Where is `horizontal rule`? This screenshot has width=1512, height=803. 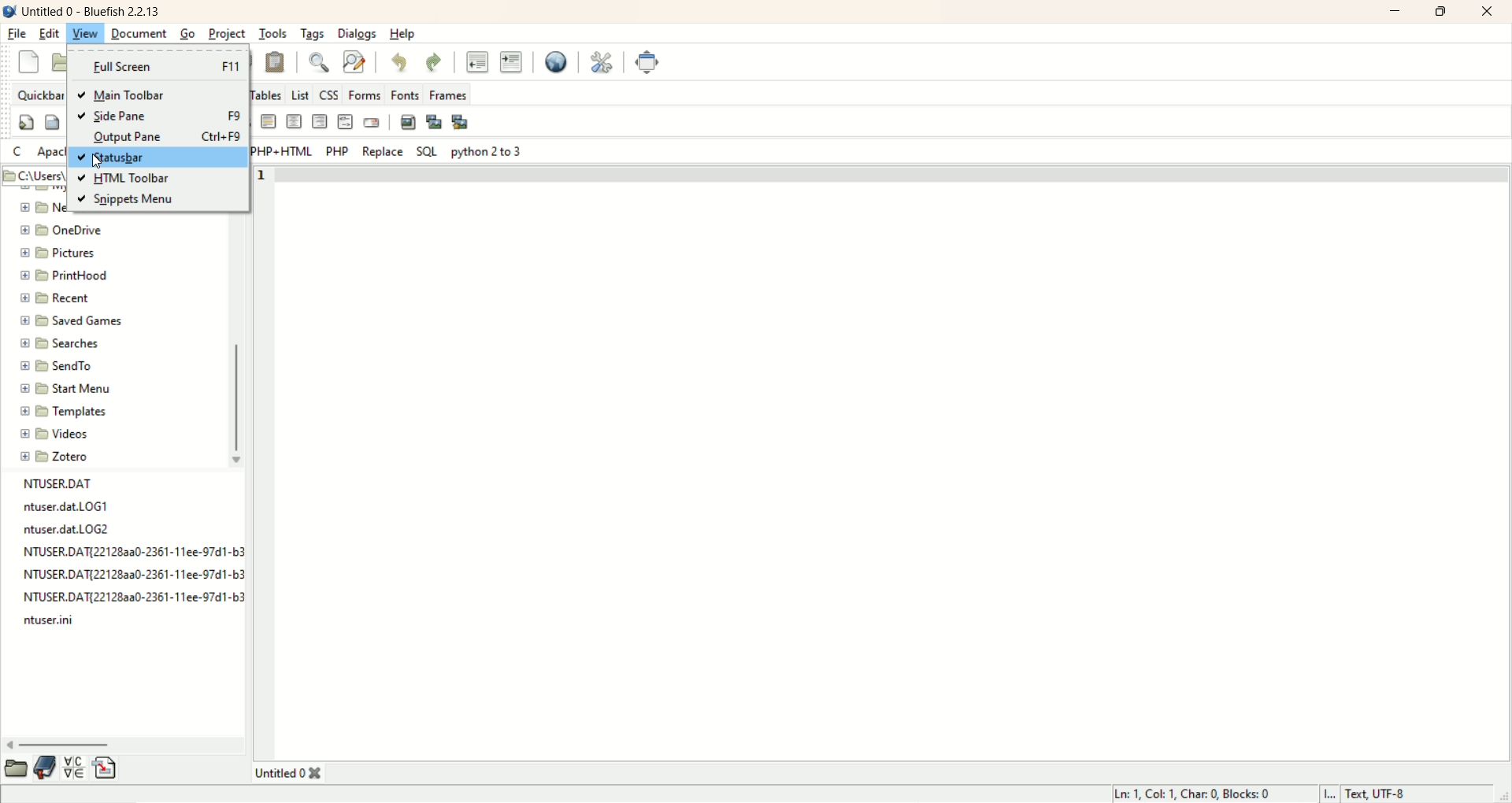 horizontal rule is located at coordinates (267, 122).